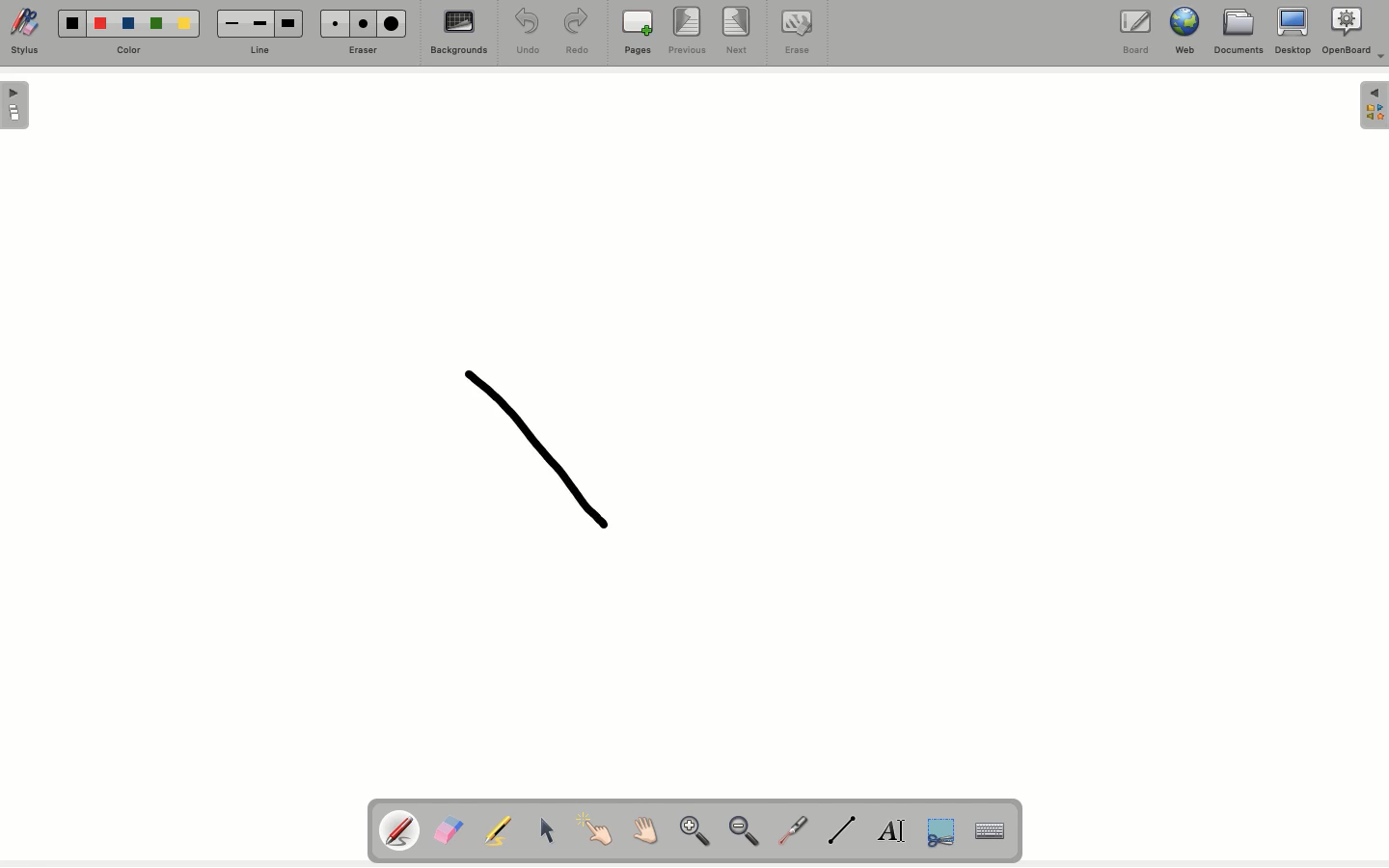 This screenshot has height=868, width=1389. What do you see at coordinates (893, 830) in the screenshot?
I see `Text` at bounding box center [893, 830].